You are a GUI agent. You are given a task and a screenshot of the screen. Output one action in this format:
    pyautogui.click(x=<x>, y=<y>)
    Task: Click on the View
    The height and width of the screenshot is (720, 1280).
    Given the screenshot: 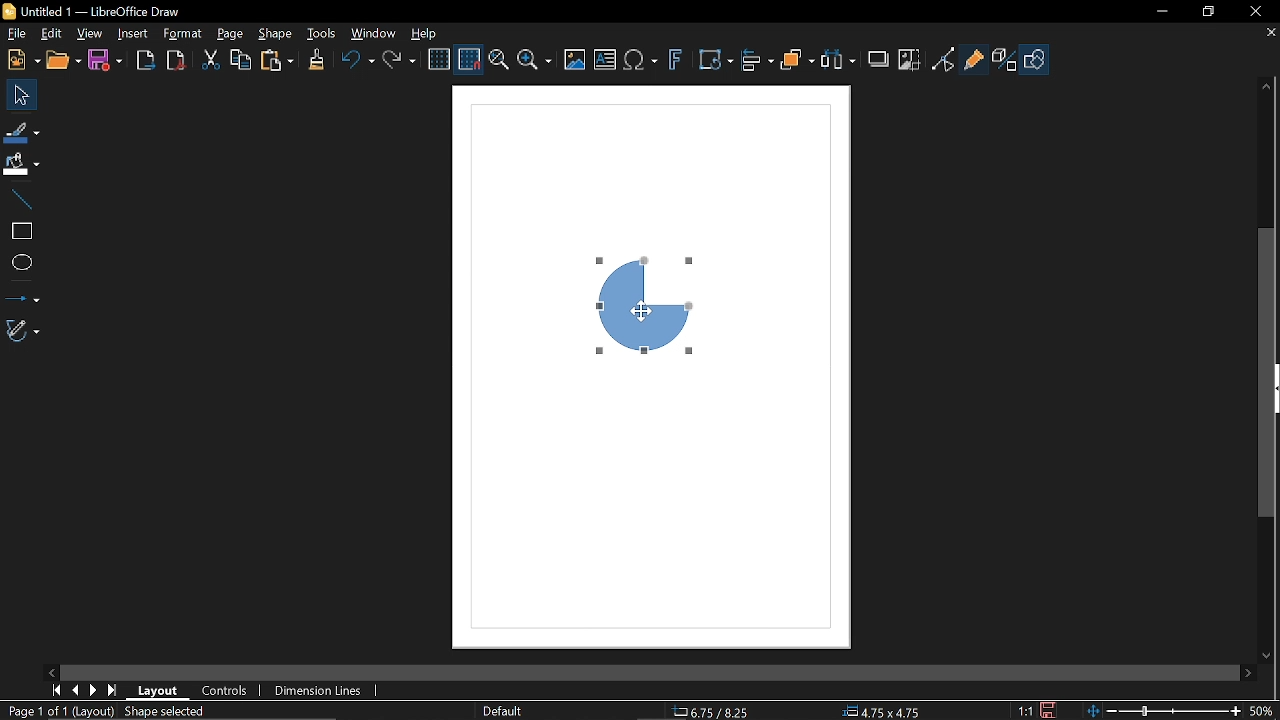 What is the action you would take?
    pyautogui.click(x=90, y=34)
    